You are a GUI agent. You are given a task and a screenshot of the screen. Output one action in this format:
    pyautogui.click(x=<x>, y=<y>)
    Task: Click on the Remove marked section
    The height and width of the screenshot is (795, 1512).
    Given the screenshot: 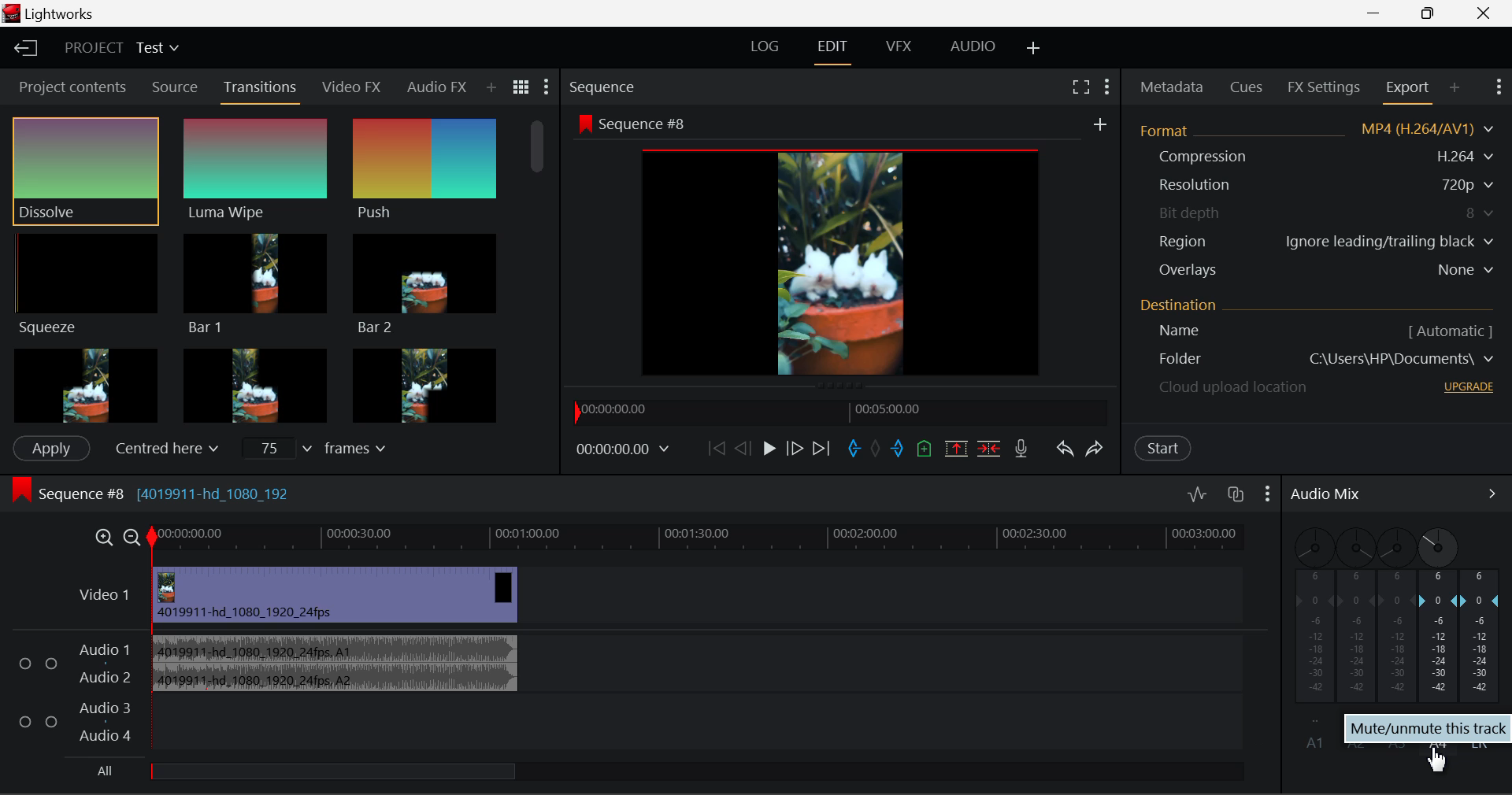 What is the action you would take?
    pyautogui.click(x=955, y=448)
    